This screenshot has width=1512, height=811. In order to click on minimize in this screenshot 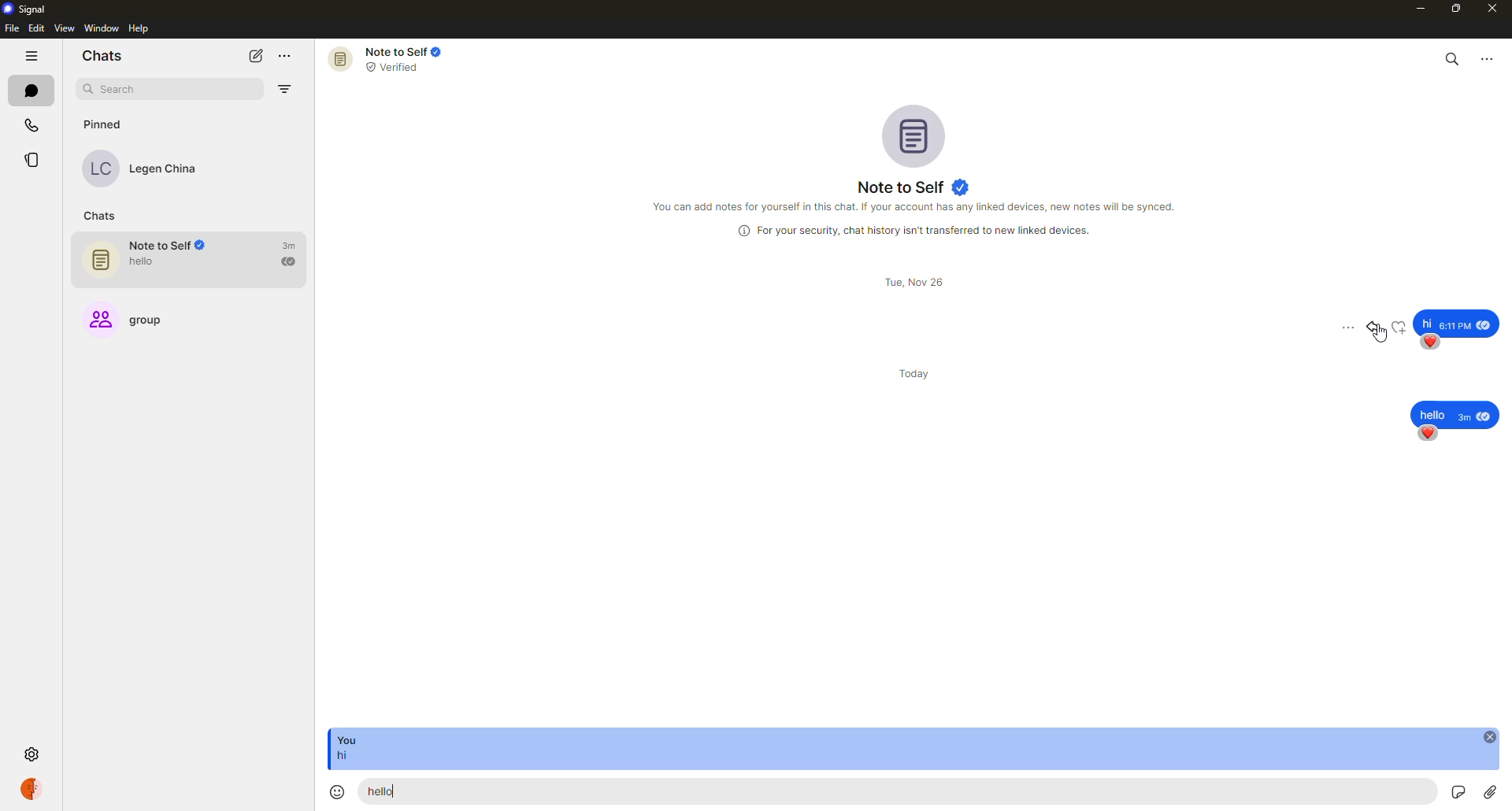, I will do `click(1418, 9)`.